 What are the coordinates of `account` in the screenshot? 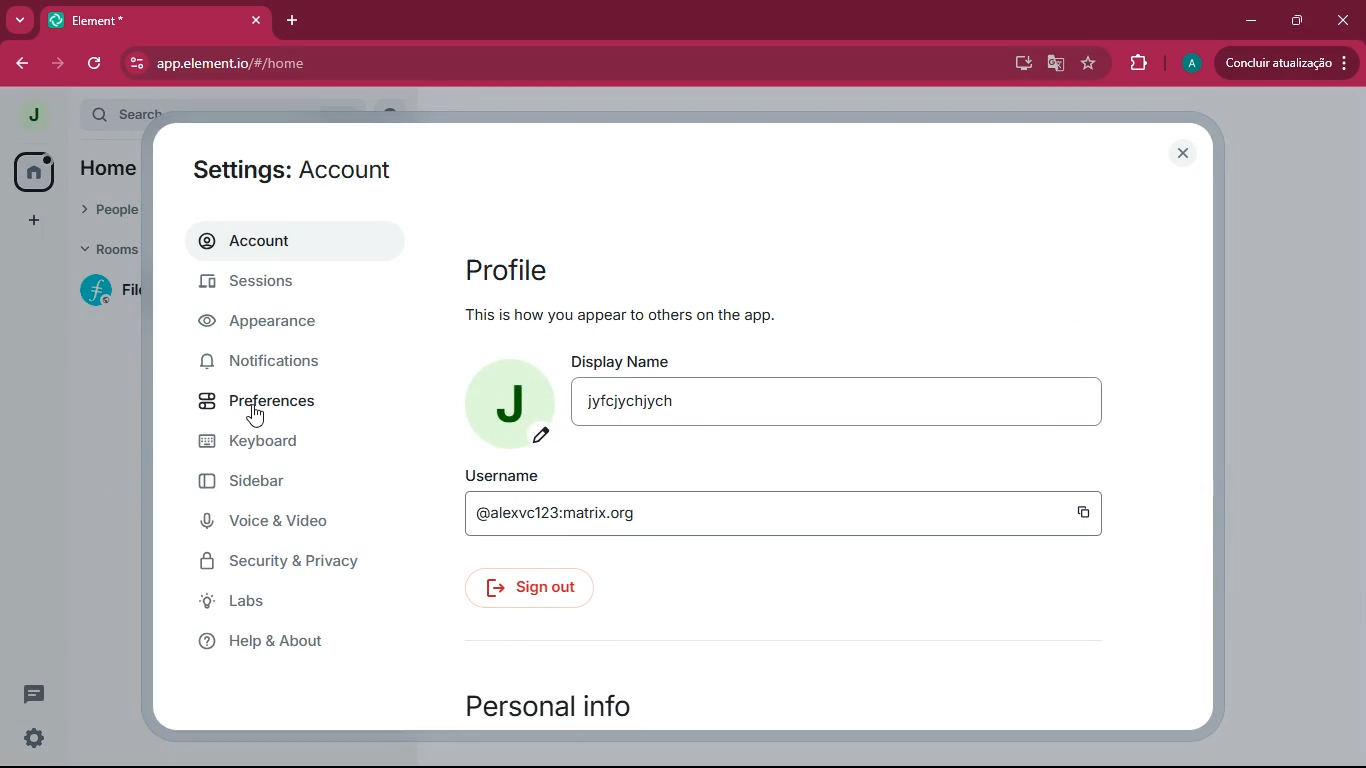 It's located at (285, 242).